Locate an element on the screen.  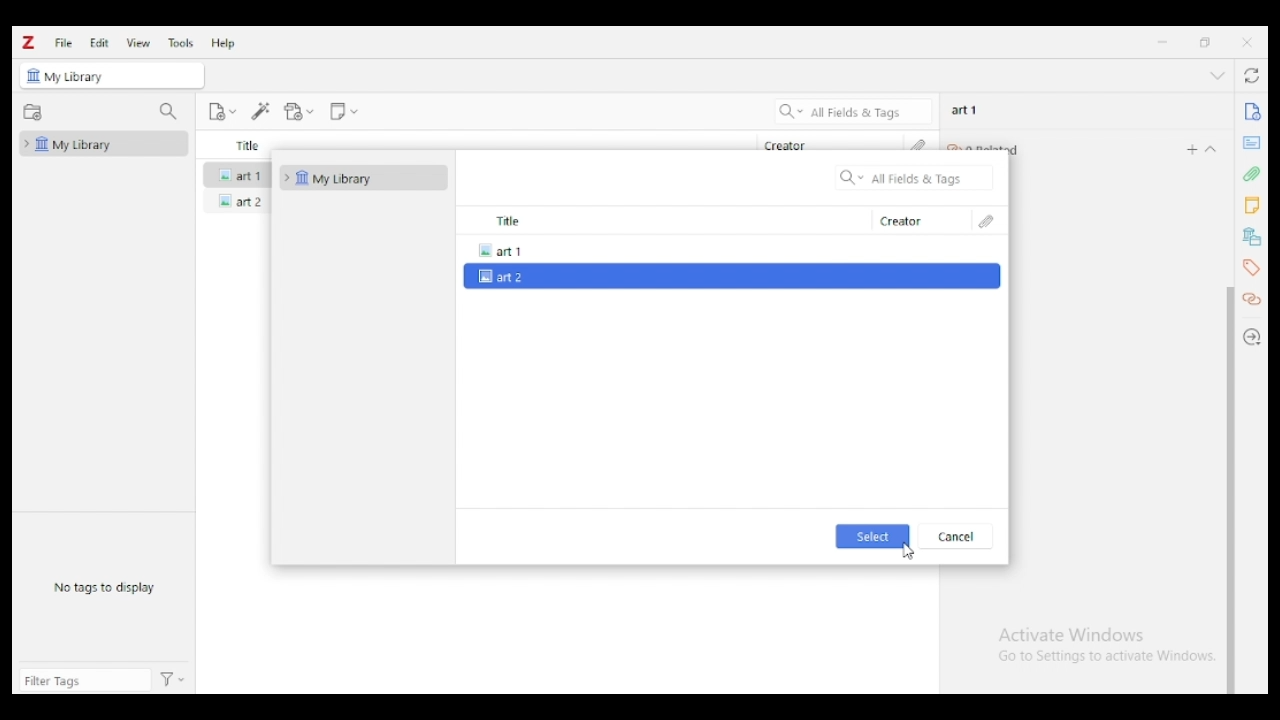
art 1 is located at coordinates (728, 249).